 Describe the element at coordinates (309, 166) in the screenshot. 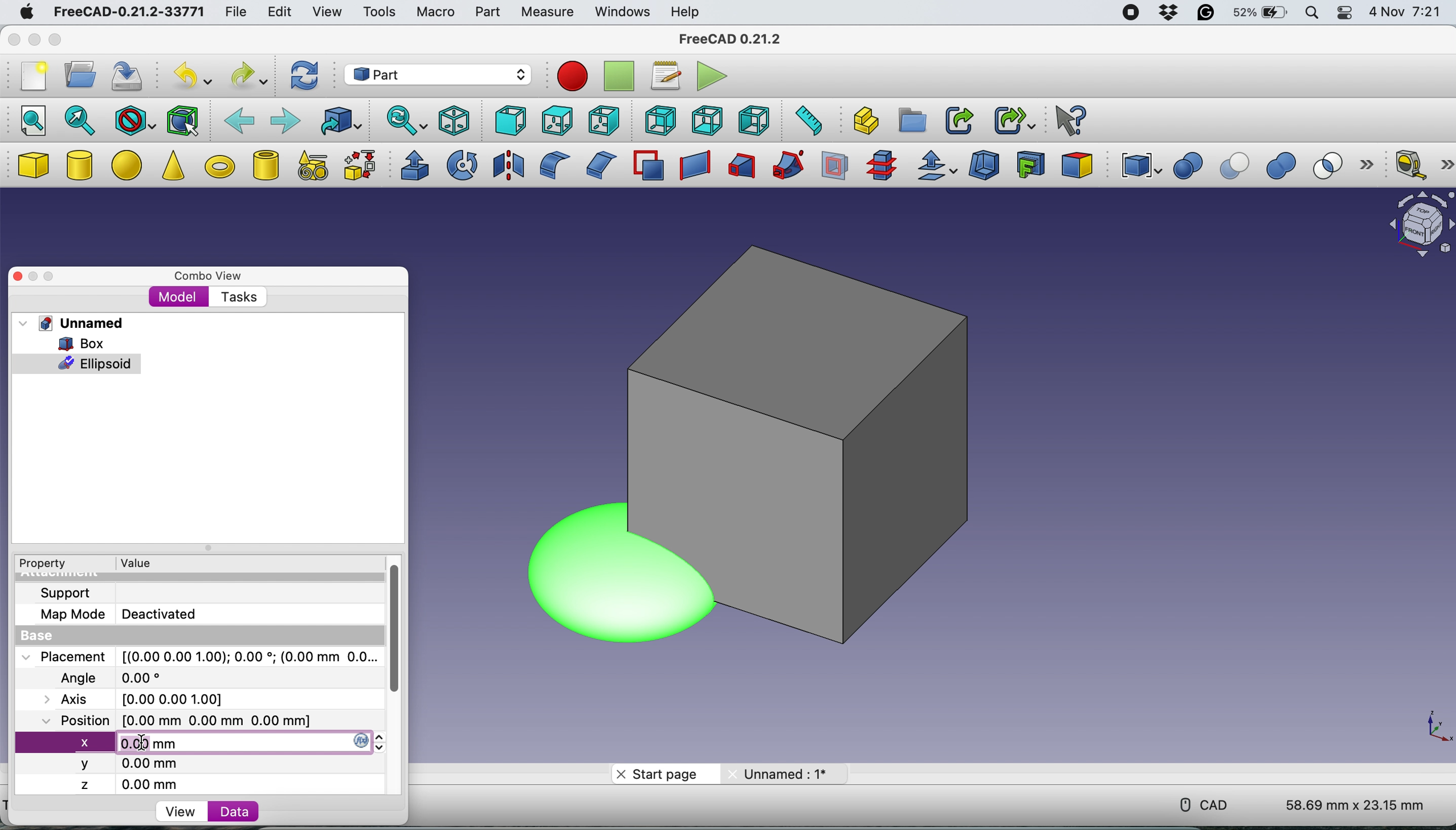

I see `create primitives` at that location.